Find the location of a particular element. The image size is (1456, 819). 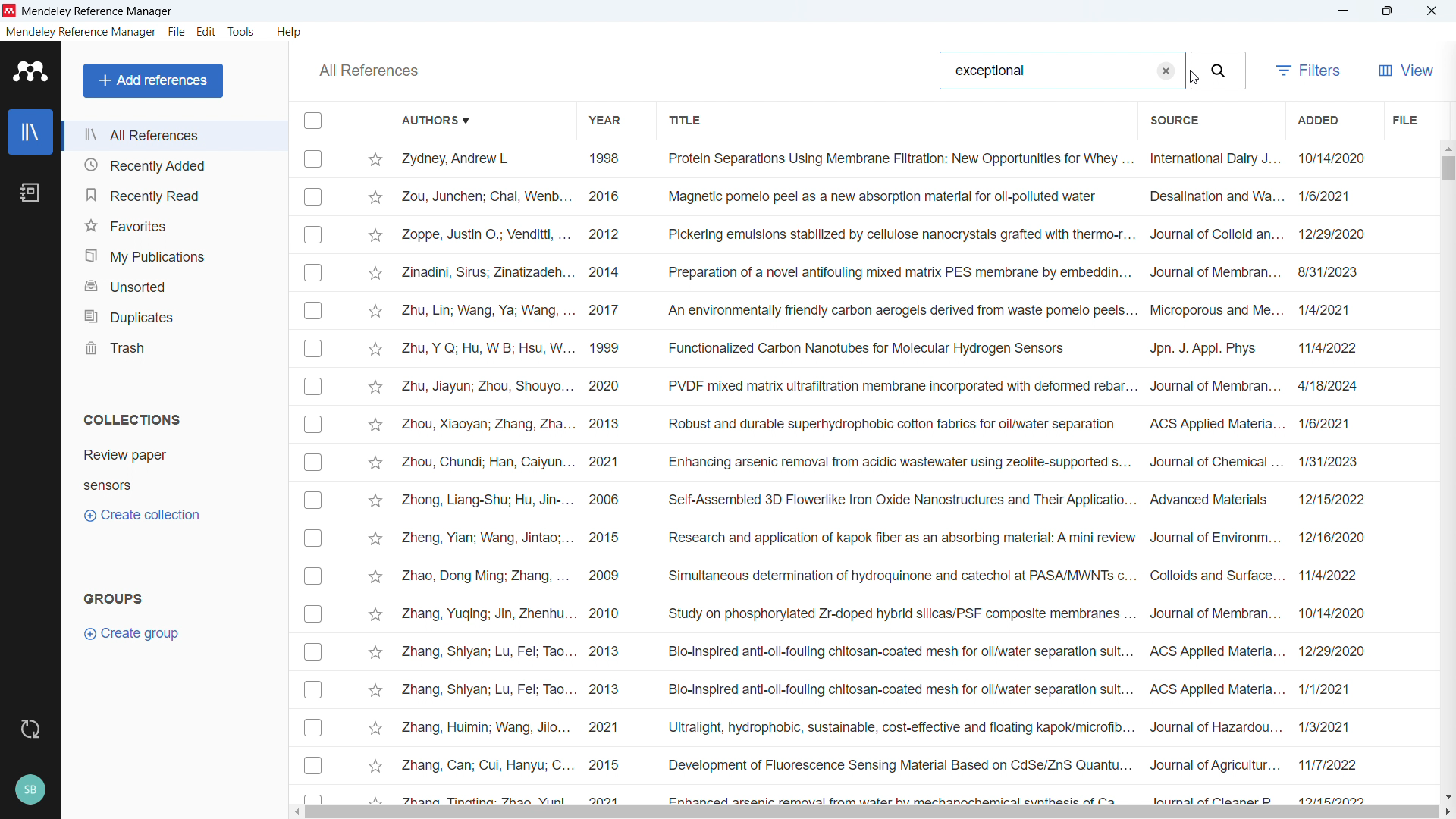

Vertical scrollbar  is located at coordinates (1448, 168).